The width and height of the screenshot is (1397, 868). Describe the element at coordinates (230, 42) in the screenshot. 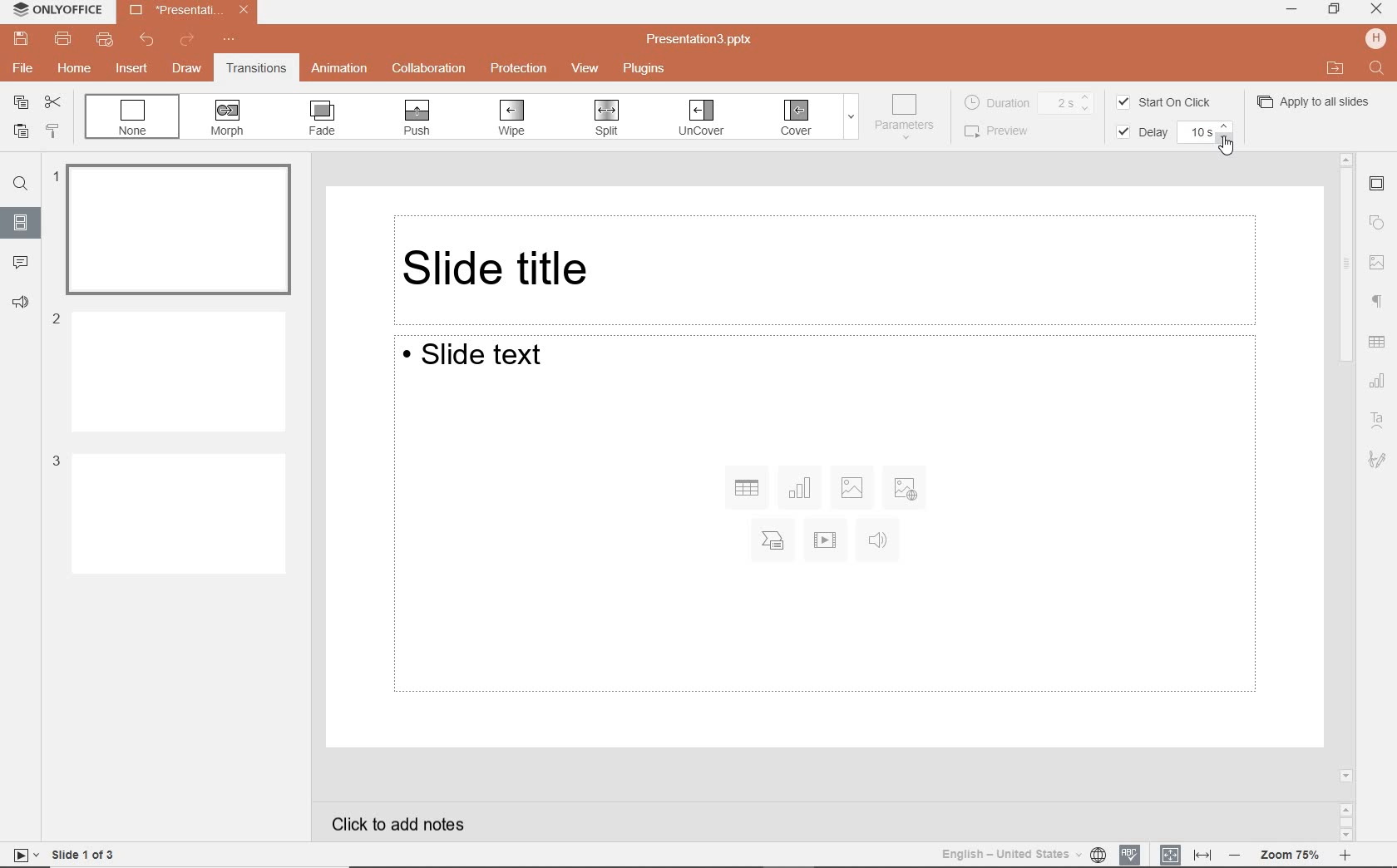

I see `customize quick access toolbar` at that location.